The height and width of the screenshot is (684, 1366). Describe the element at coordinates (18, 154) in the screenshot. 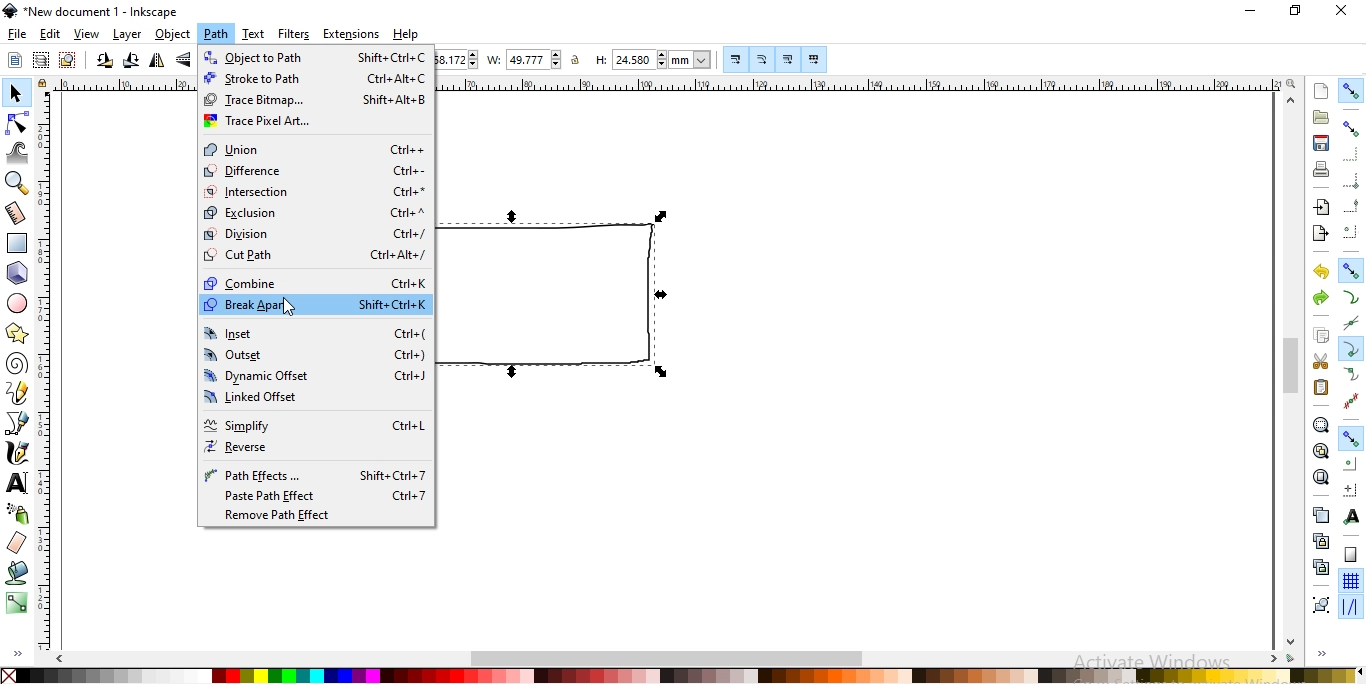

I see `tweak objects by sculpting or painting` at that location.